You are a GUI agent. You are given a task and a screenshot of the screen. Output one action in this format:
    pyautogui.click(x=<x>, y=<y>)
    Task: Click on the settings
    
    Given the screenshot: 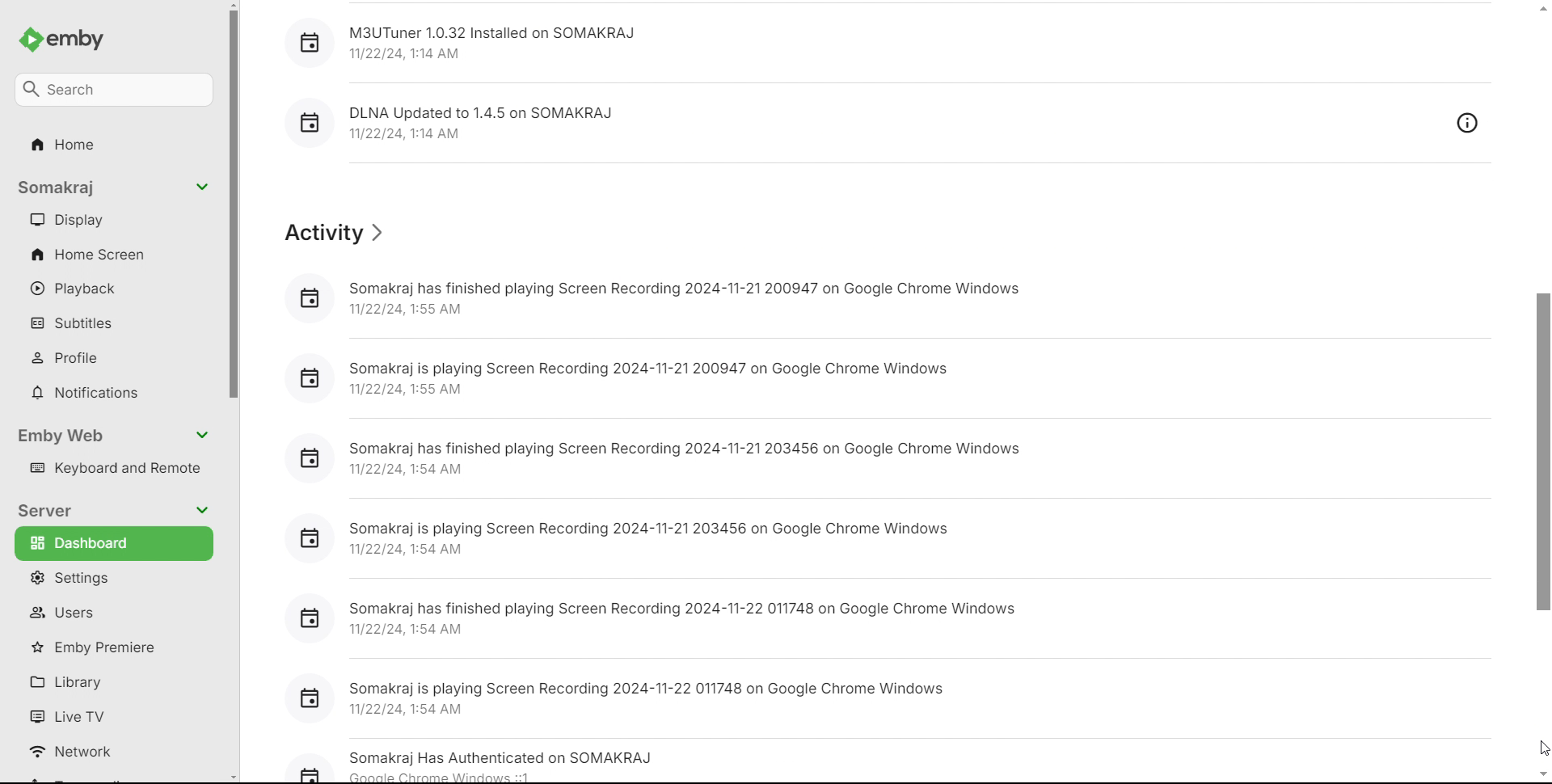 What is the action you would take?
    pyautogui.click(x=110, y=578)
    